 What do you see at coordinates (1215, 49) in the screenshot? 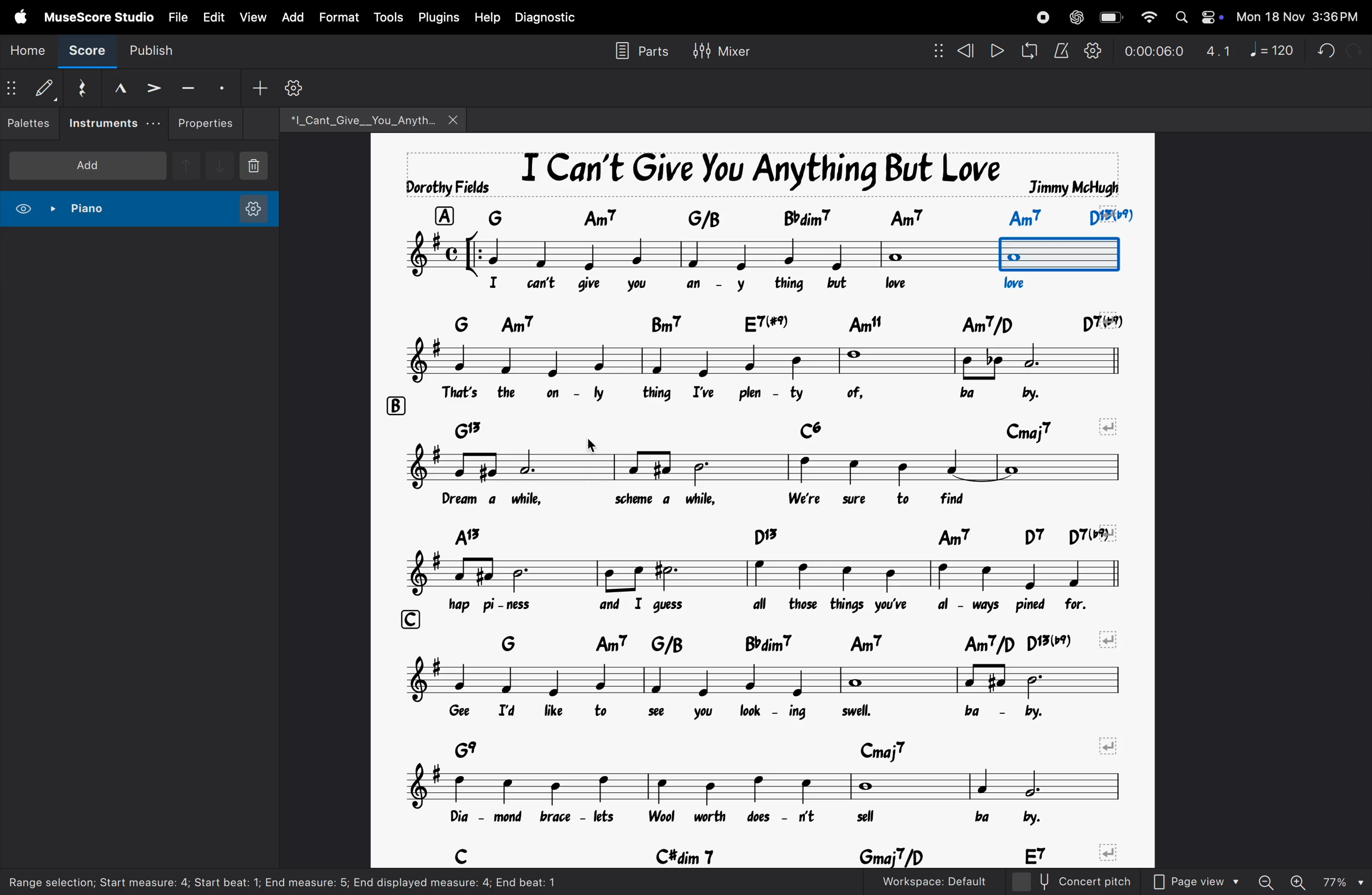
I see `3.1` at bounding box center [1215, 49].